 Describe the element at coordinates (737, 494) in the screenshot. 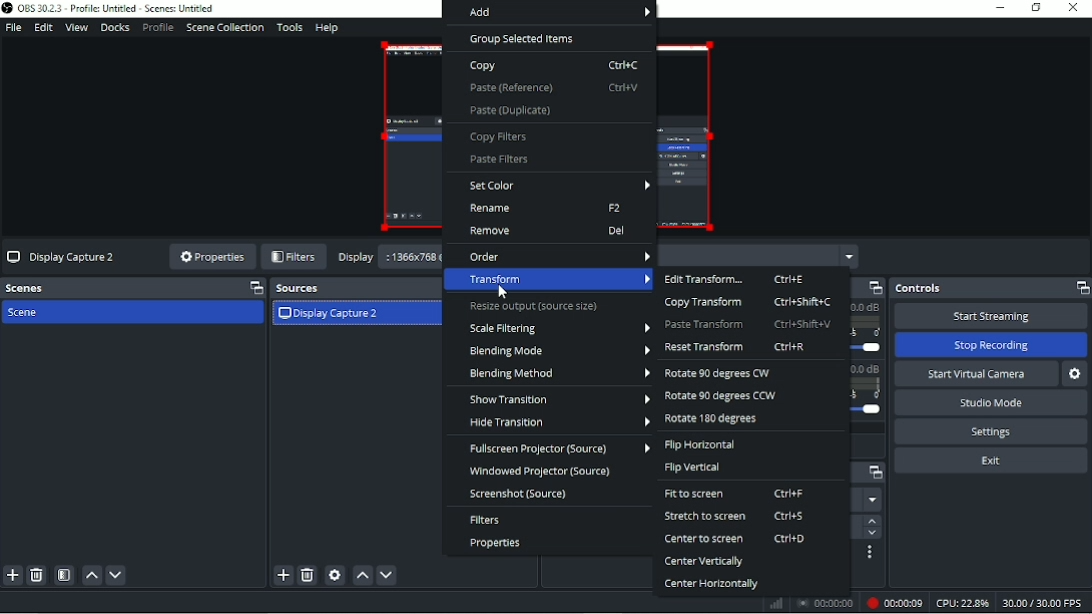

I see `Fit to screen` at that location.